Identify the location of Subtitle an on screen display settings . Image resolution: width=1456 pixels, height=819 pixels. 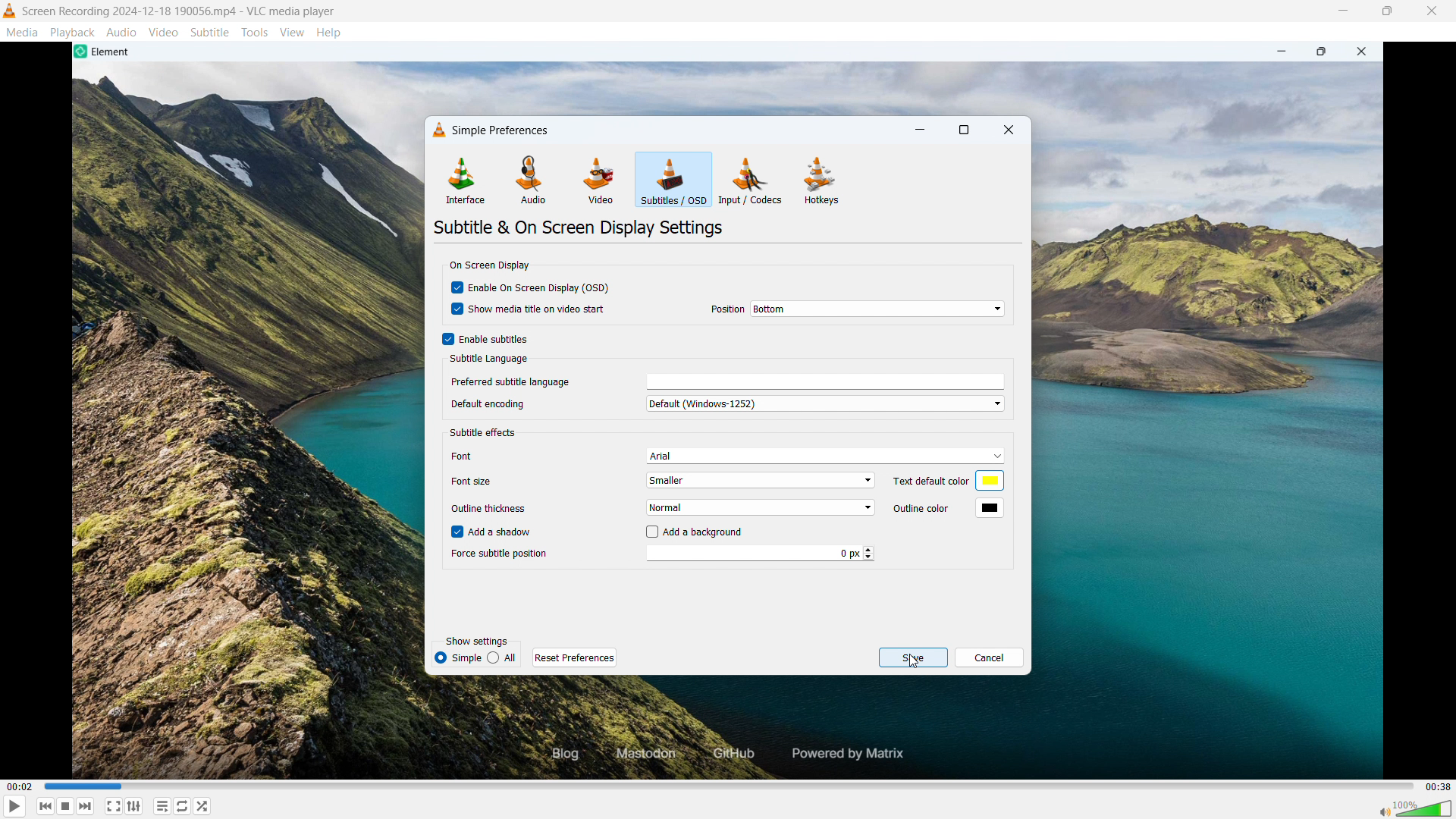
(581, 228).